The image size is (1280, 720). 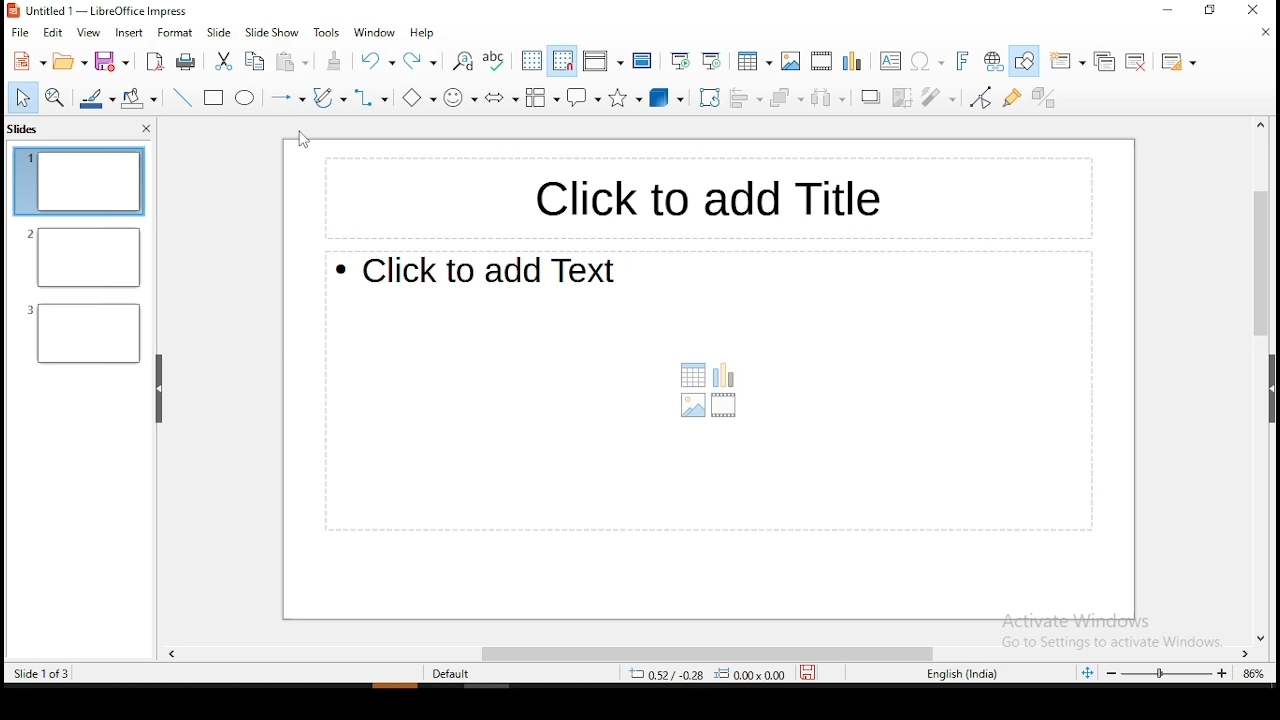 What do you see at coordinates (70, 59) in the screenshot?
I see `open` at bounding box center [70, 59].